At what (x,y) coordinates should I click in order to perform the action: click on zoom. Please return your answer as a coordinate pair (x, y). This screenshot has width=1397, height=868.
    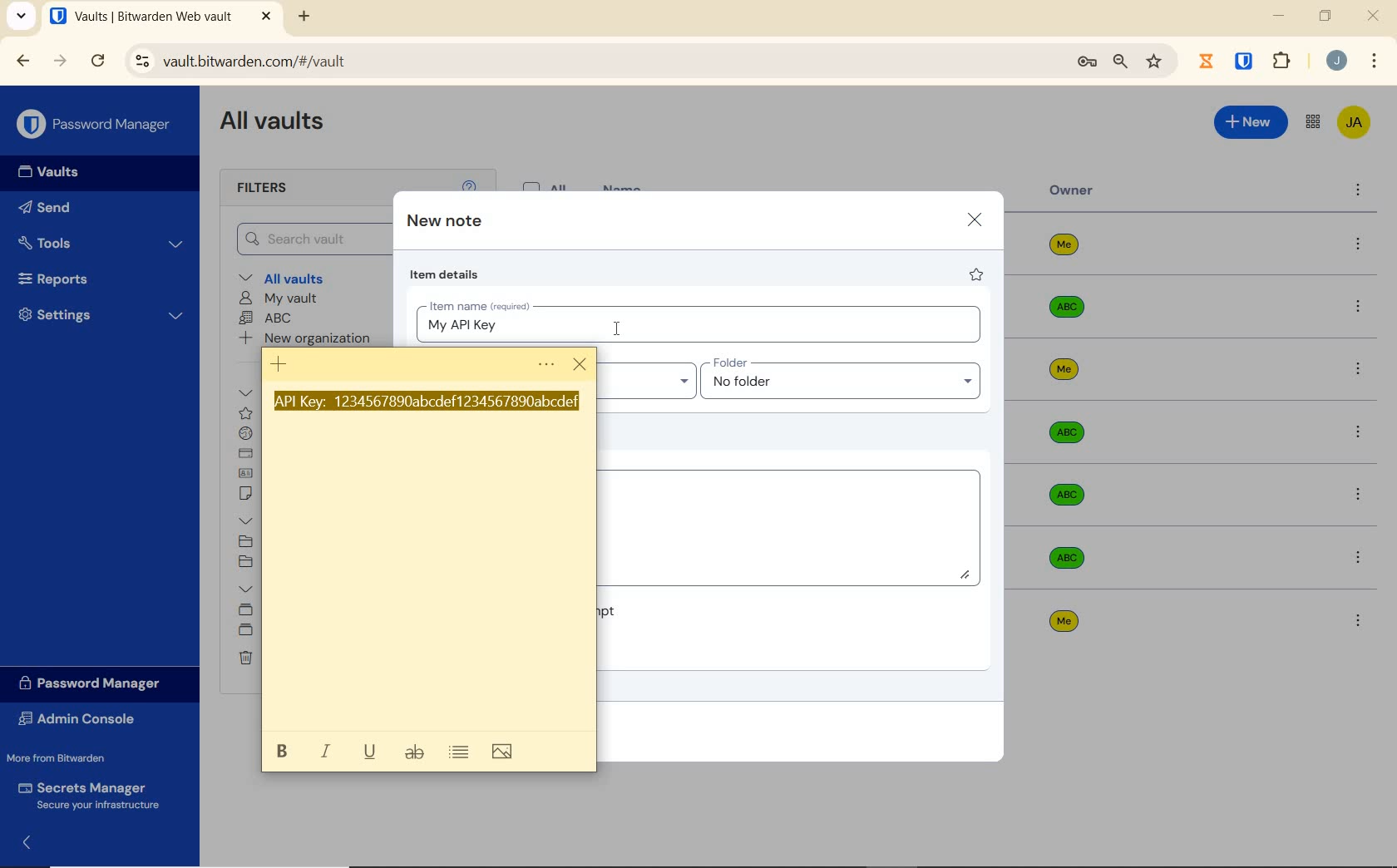
    Looking at the image, I should click on (1118, 62).